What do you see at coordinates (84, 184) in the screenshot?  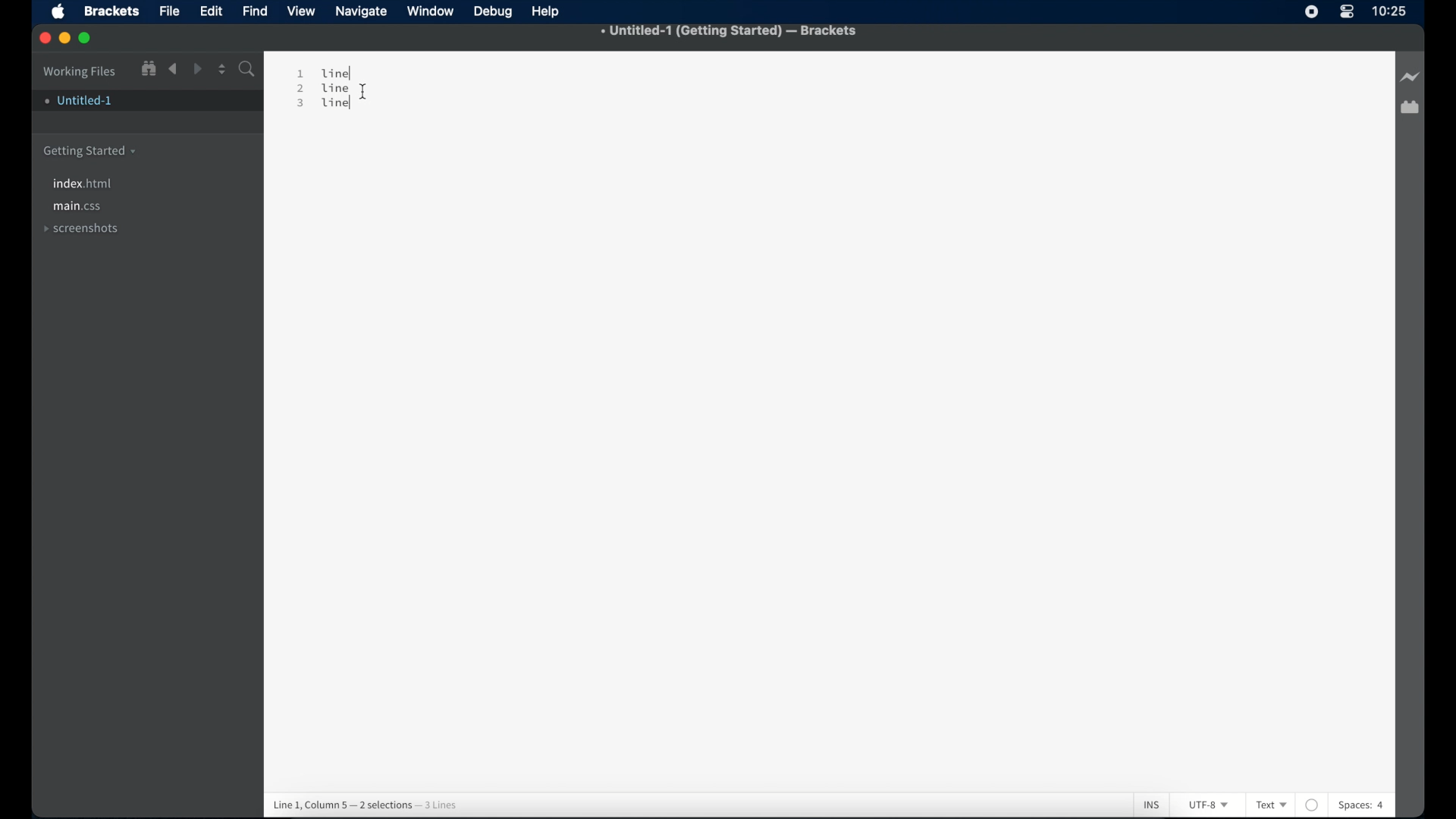 I see `index.html` at bounding box center [84, 184].